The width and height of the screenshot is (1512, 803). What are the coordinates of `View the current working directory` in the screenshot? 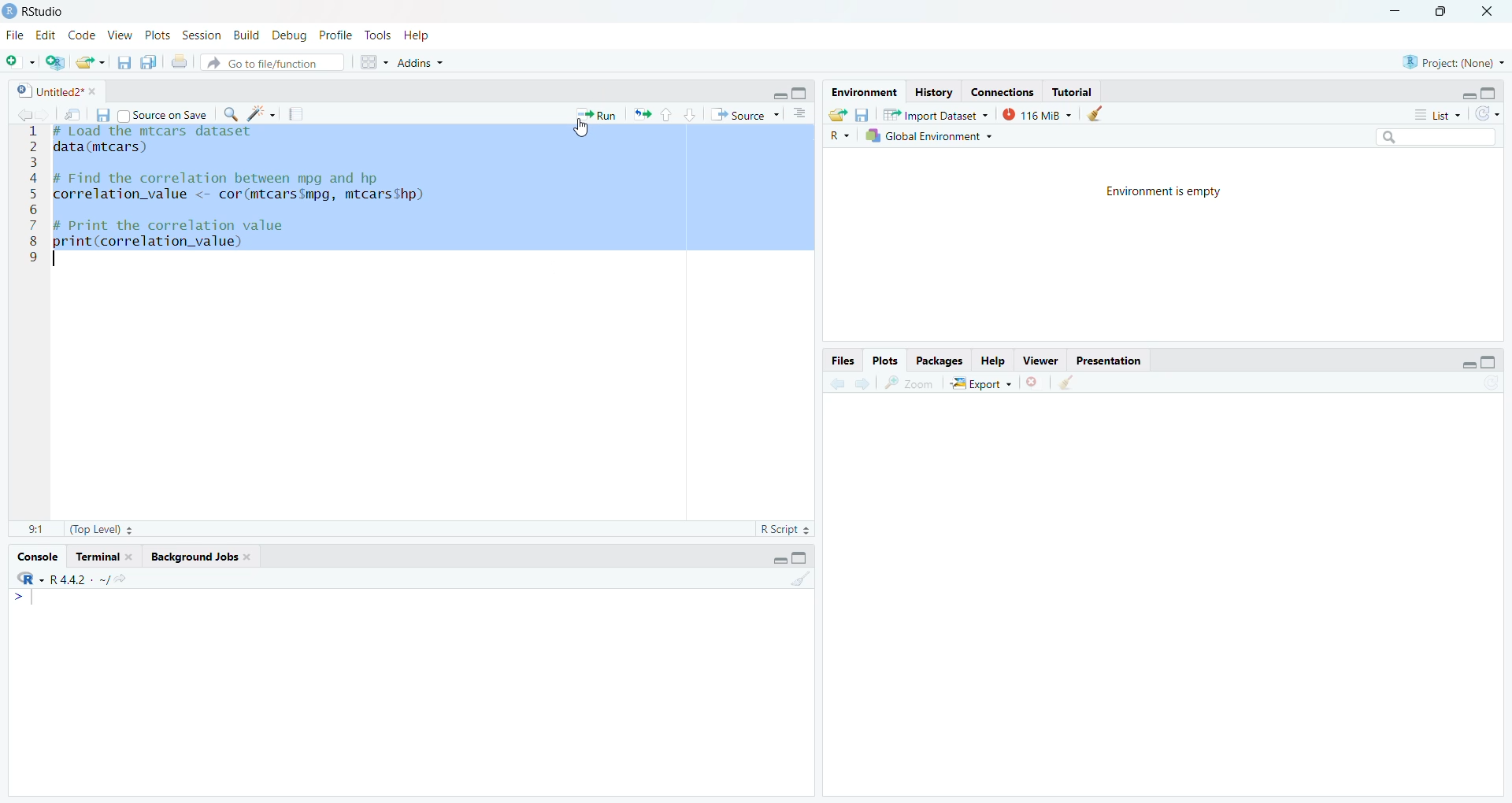 It's located at (122, 579).